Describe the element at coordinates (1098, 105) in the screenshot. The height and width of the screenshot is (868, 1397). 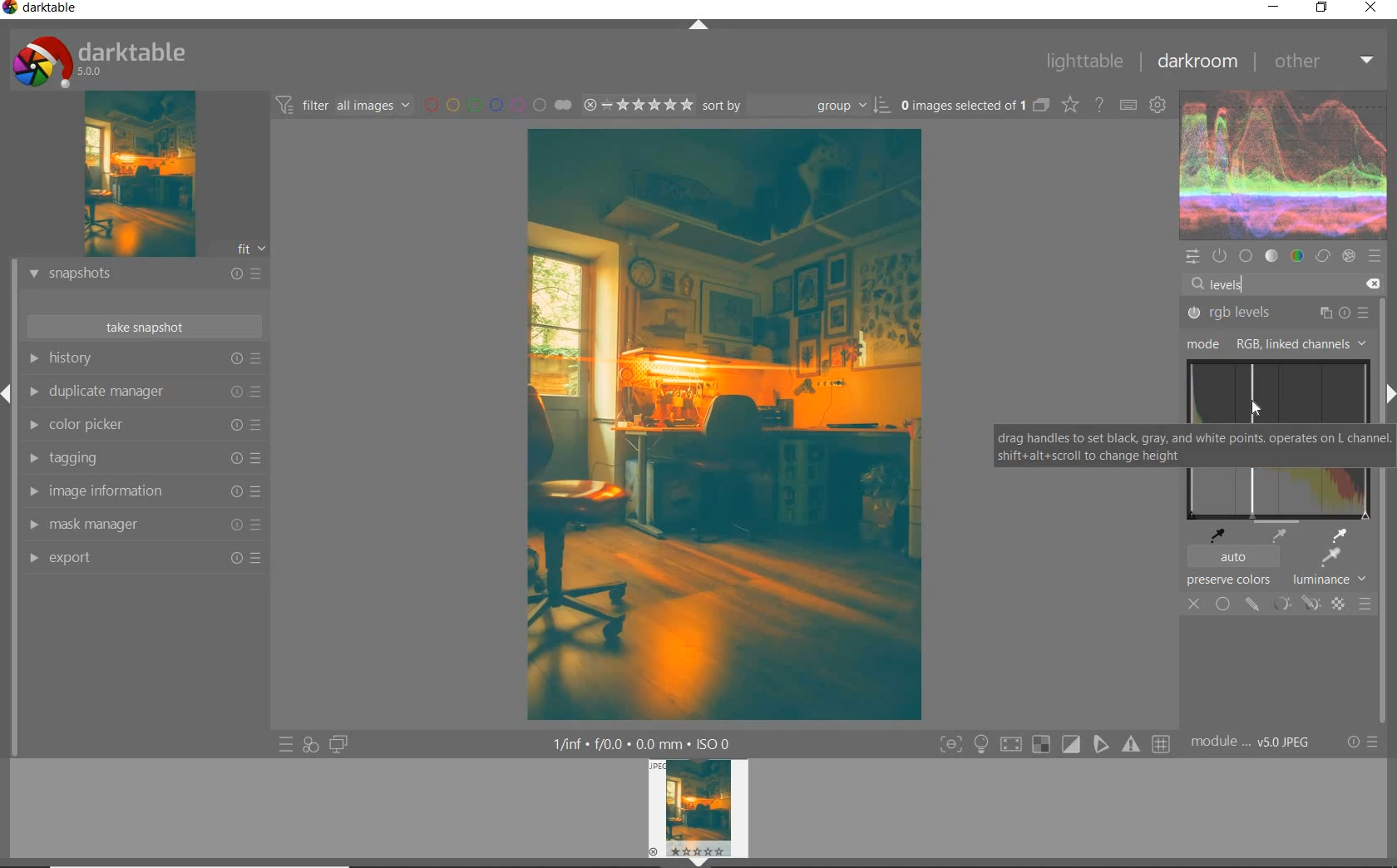
I see `enable online help` at that location.